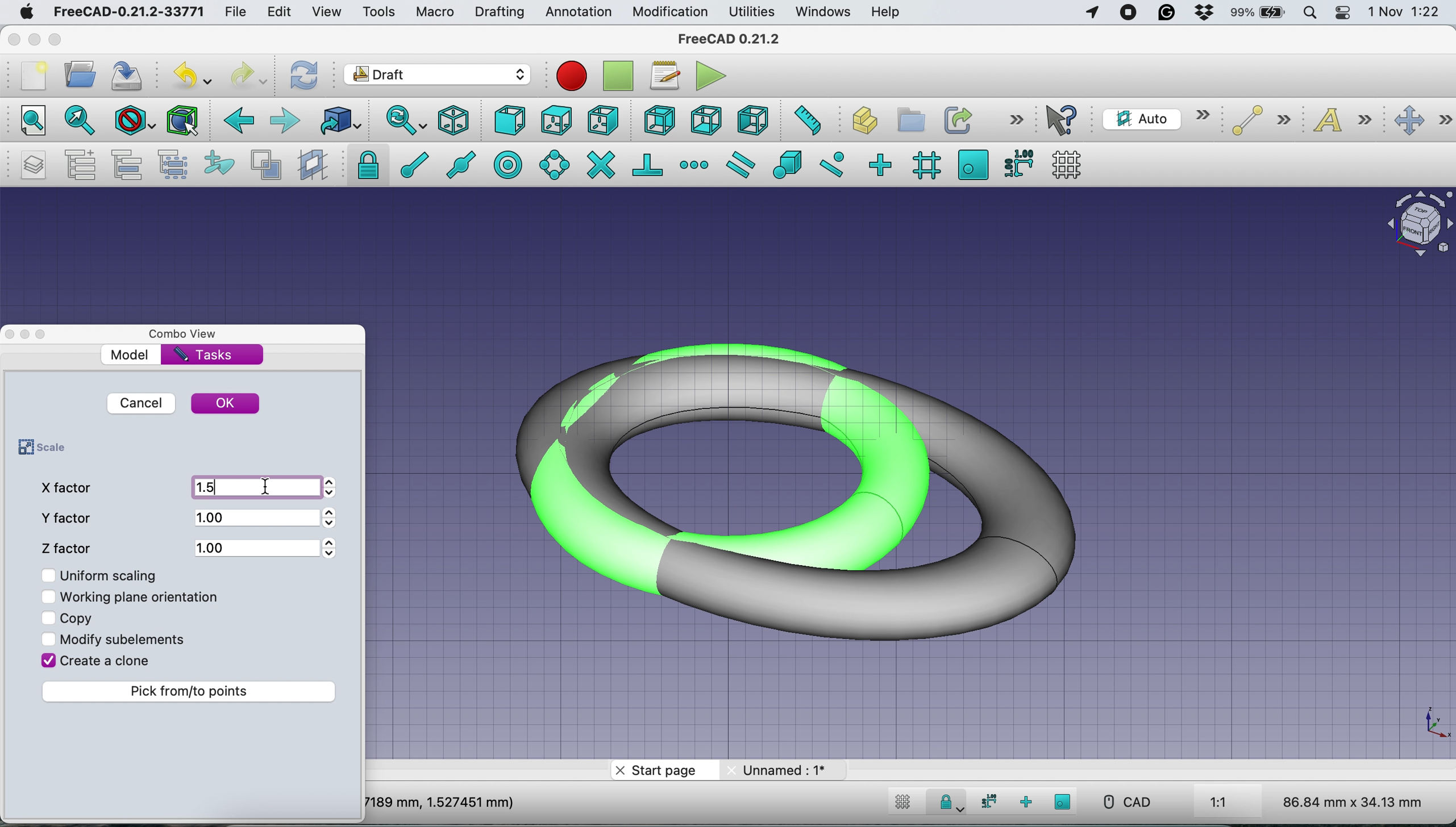  I want to click on snap angle, so click(555, 164).